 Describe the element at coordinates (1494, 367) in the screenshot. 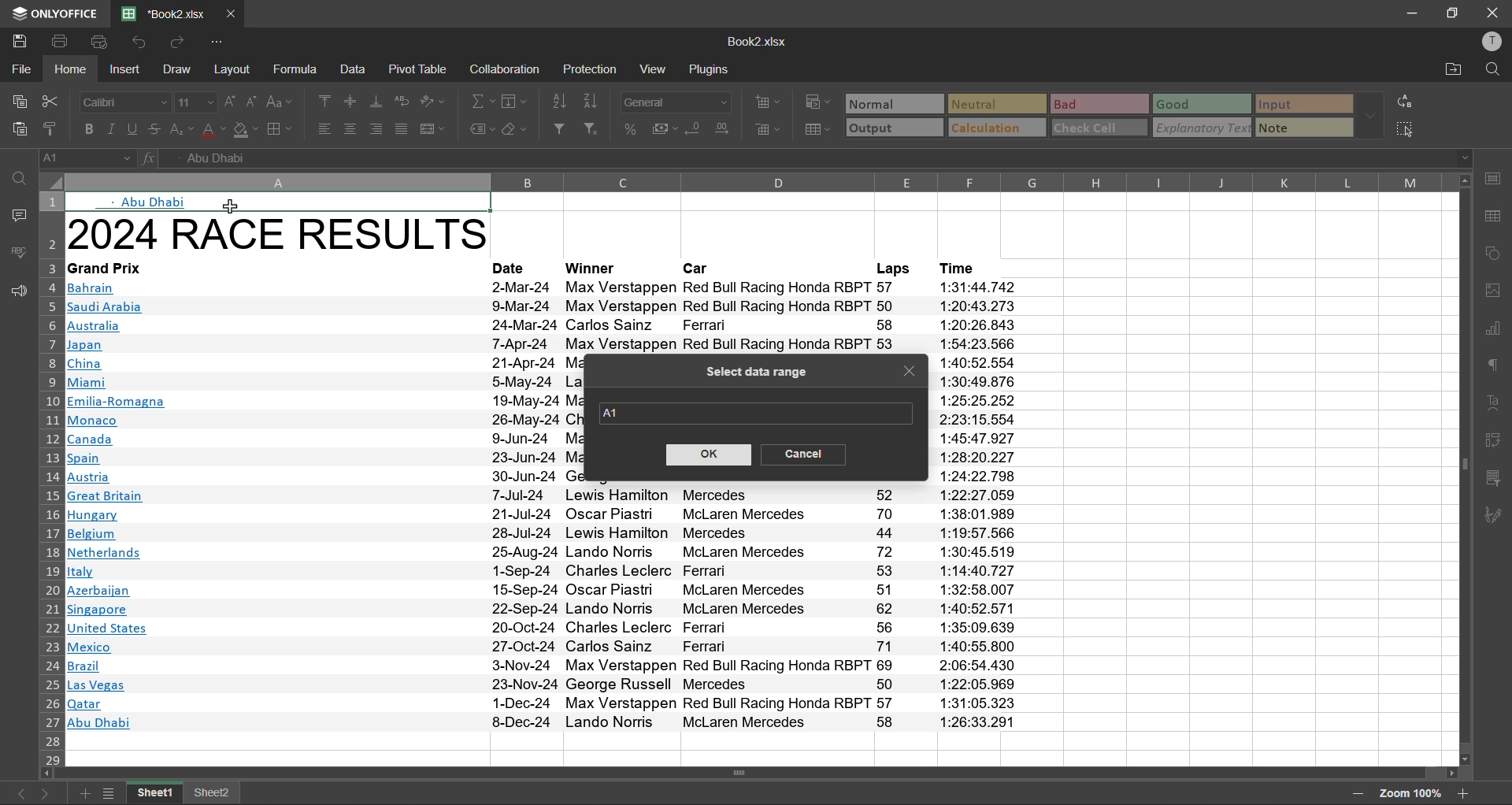

I see `paragraph` at that location.